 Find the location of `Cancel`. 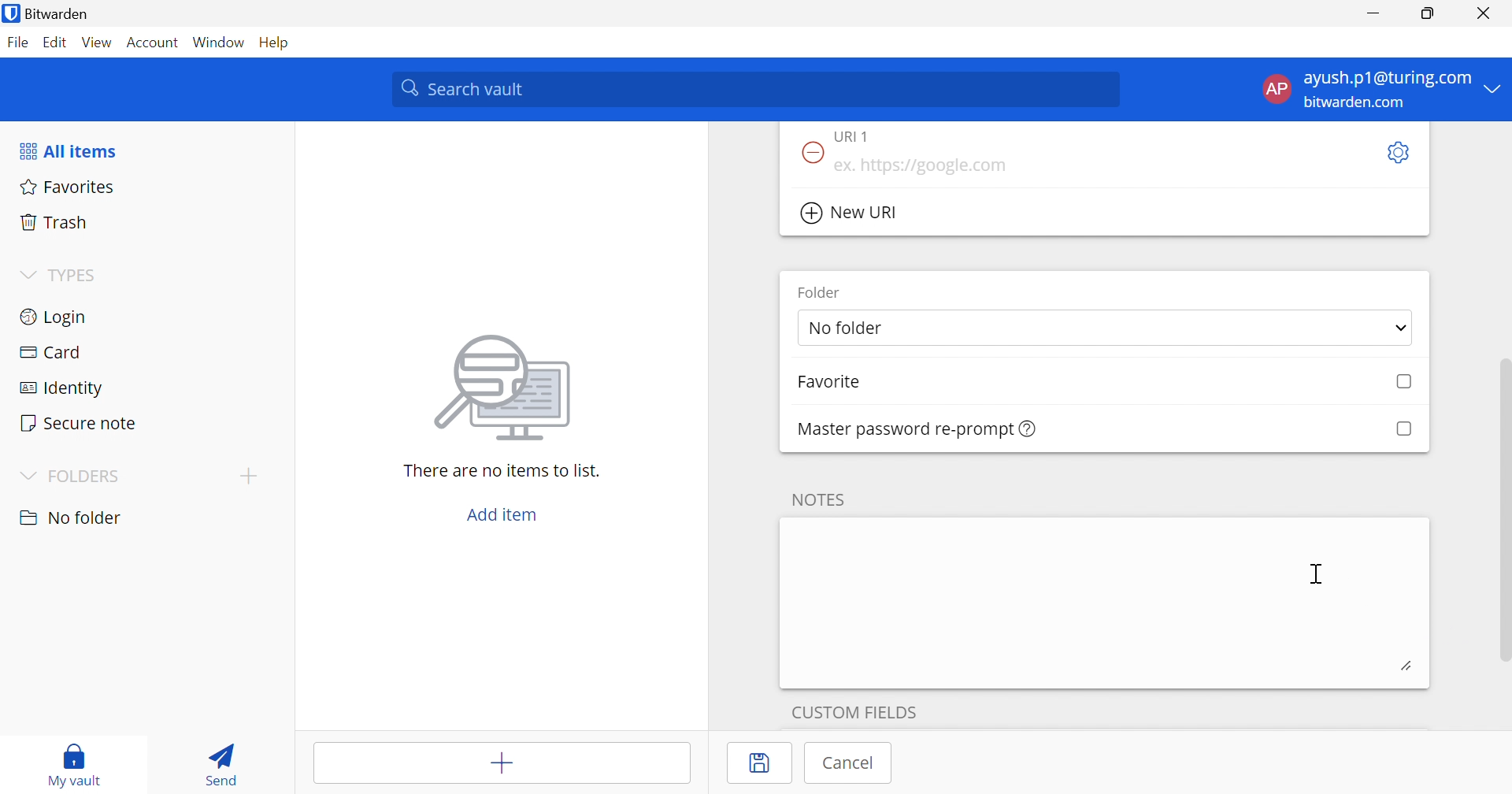

Cancel is located at coordinates (850, 762).